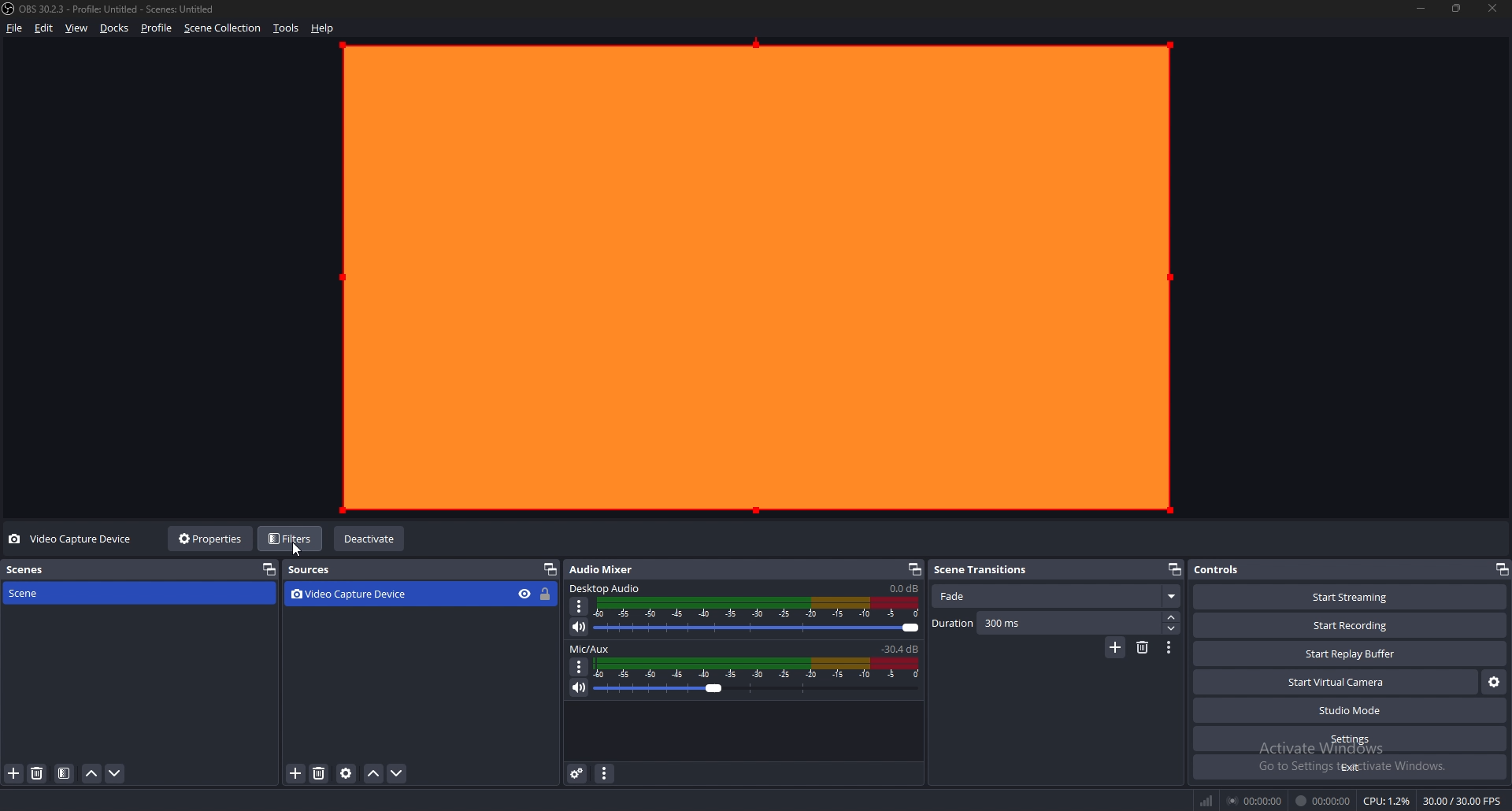 The image size is (1512, 811). What do you see at coordinates (1501, 569) in the screenshot?
I see `pop out` at bounding box center [1501, 569].